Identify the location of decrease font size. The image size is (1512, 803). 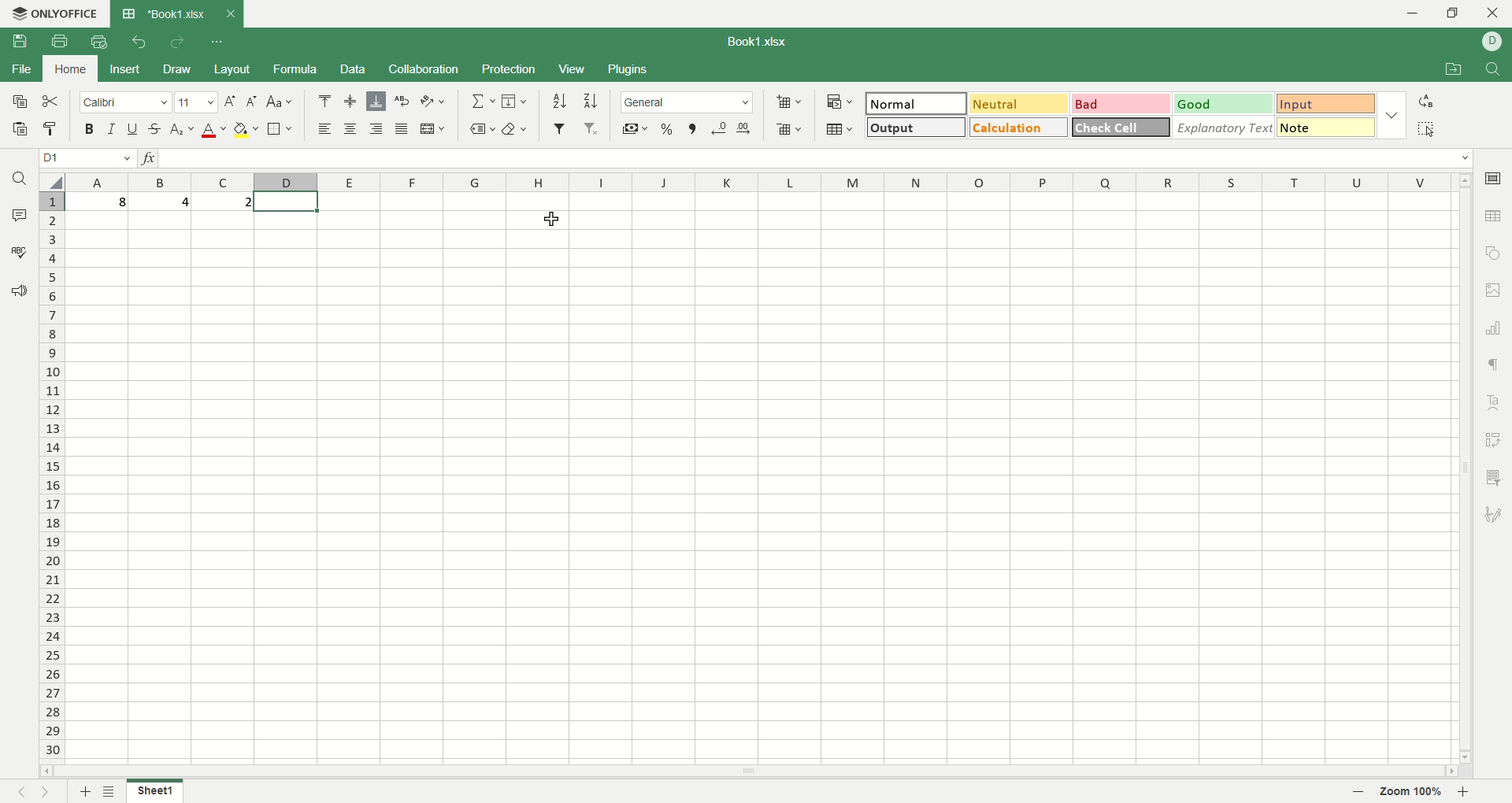
(251, 102).